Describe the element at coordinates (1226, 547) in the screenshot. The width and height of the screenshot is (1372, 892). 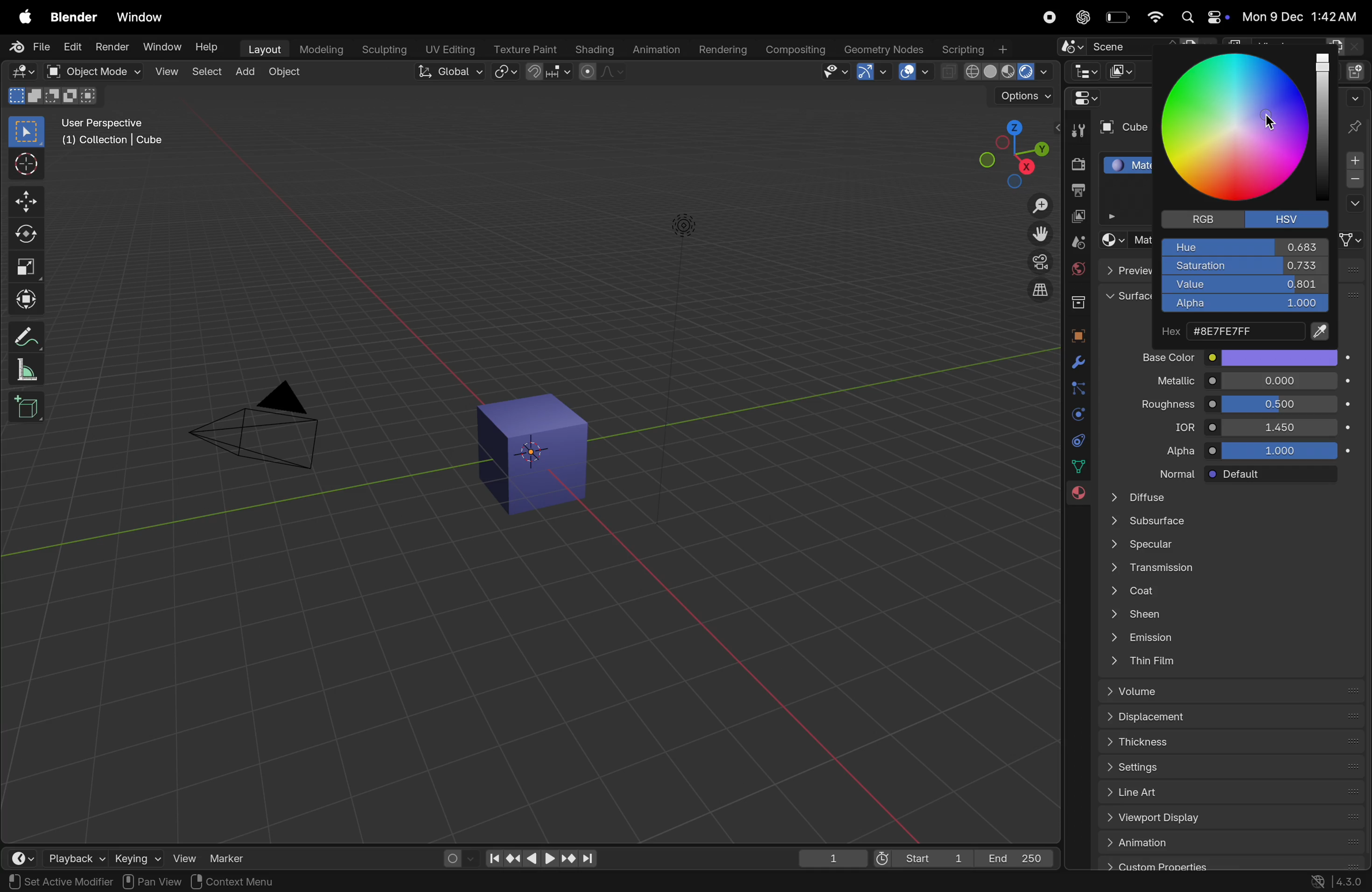
I see `Spectular` at that location.